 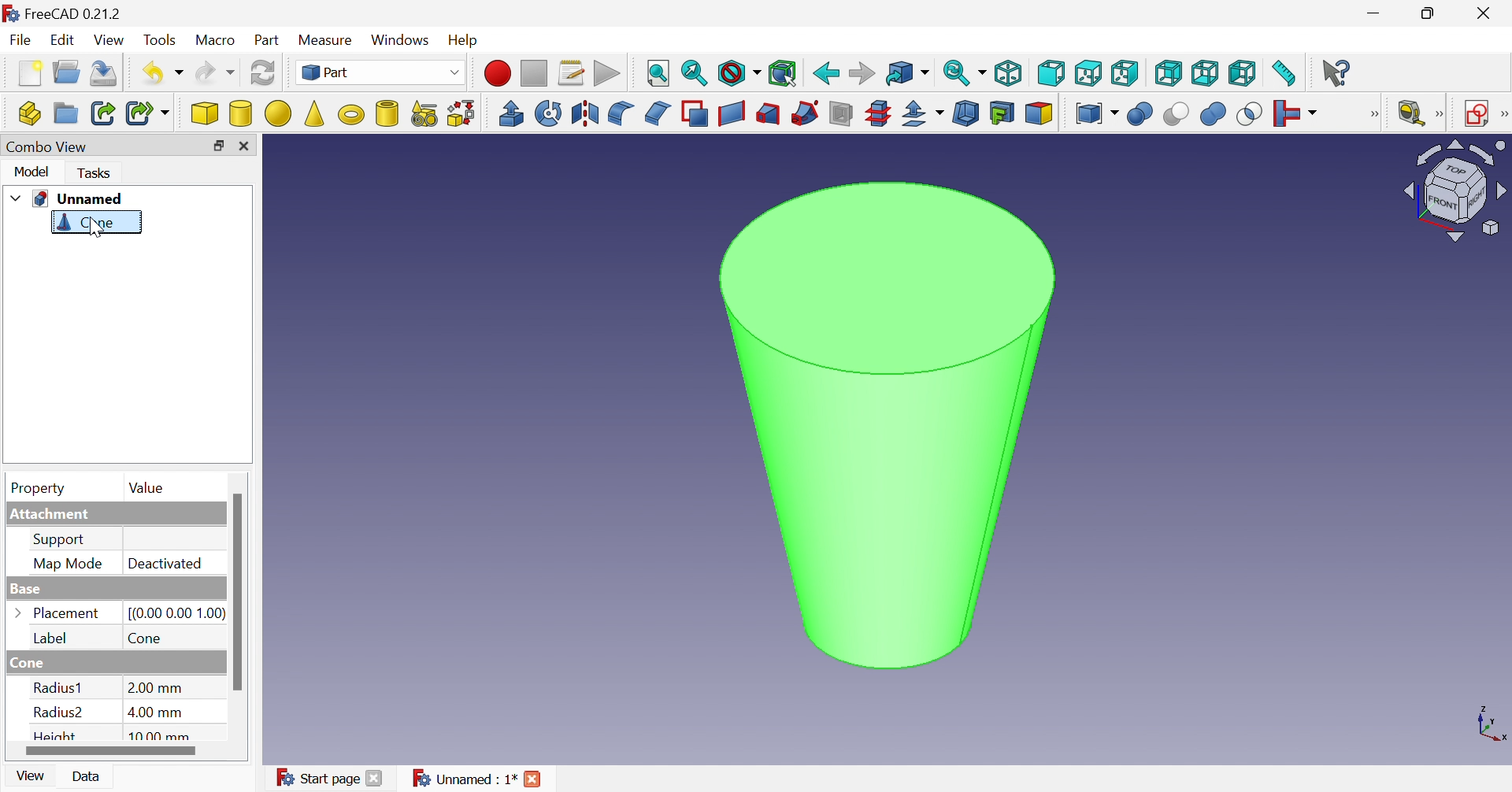 I want to click on Top, so click(x=1088, y=73).